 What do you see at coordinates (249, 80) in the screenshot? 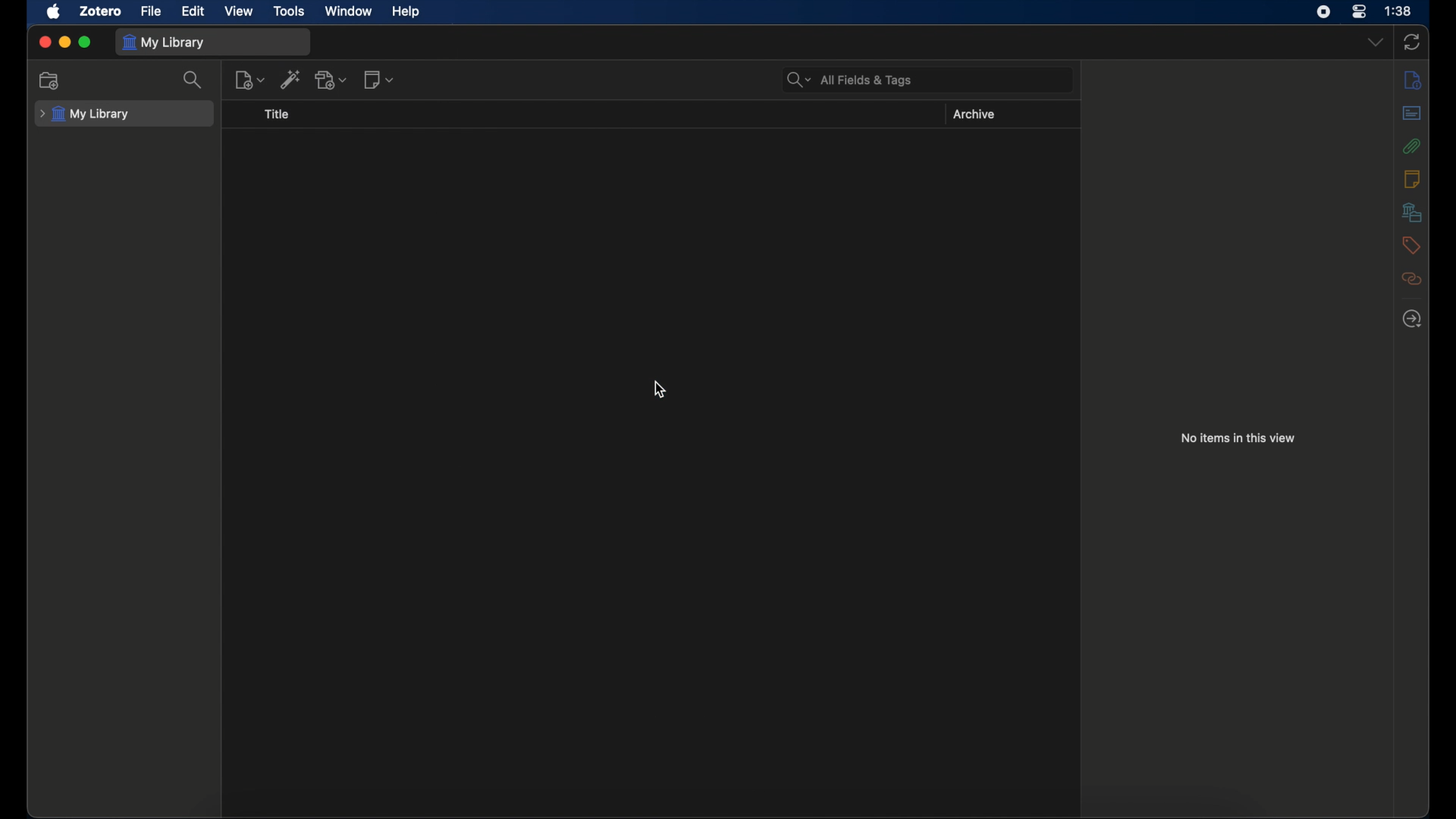
I see `new item` at bounding box center [249, 80].